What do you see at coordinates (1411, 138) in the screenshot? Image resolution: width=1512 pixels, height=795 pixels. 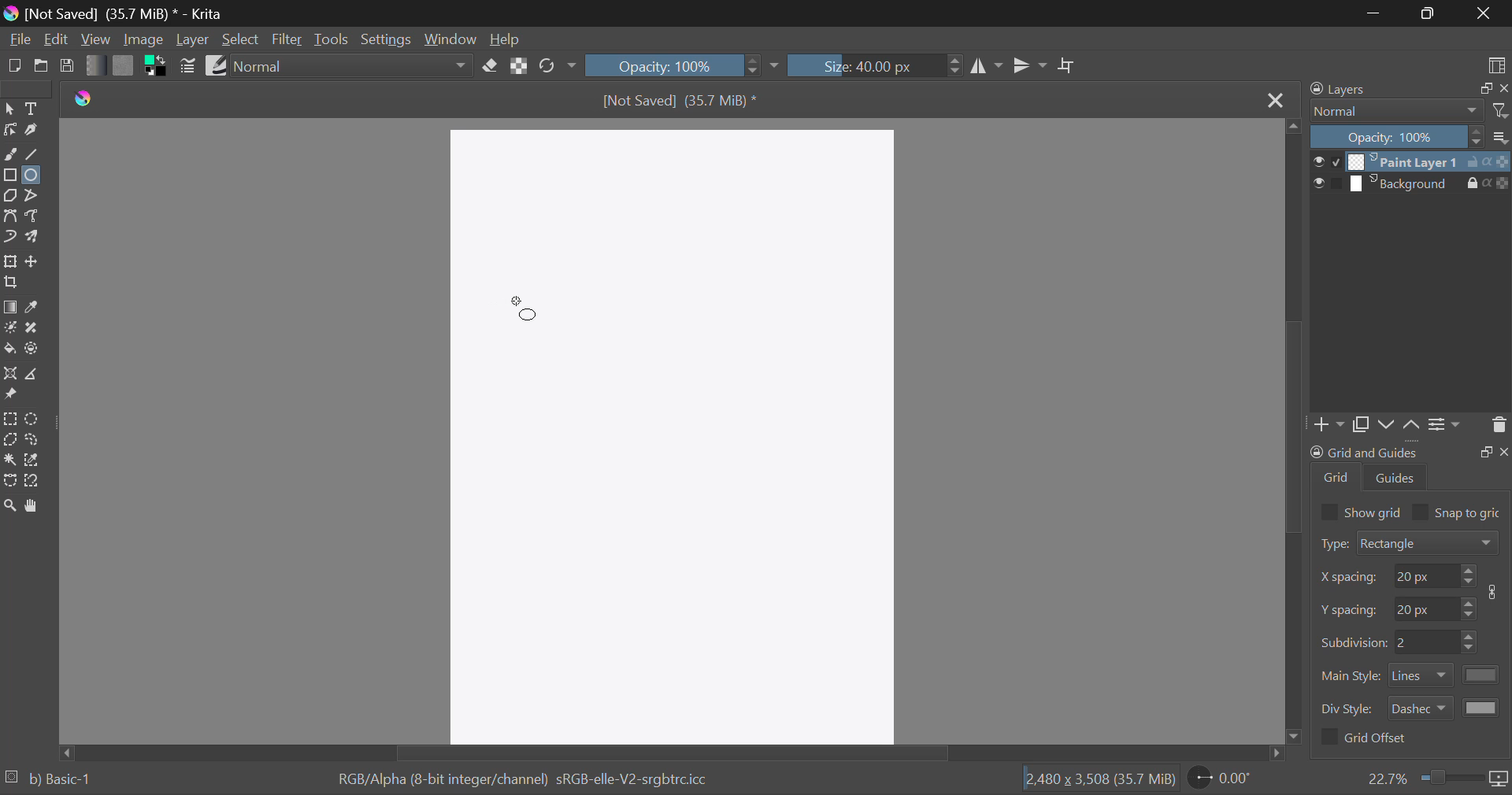 I see `Opacity` at bounding box center [1411, 138].